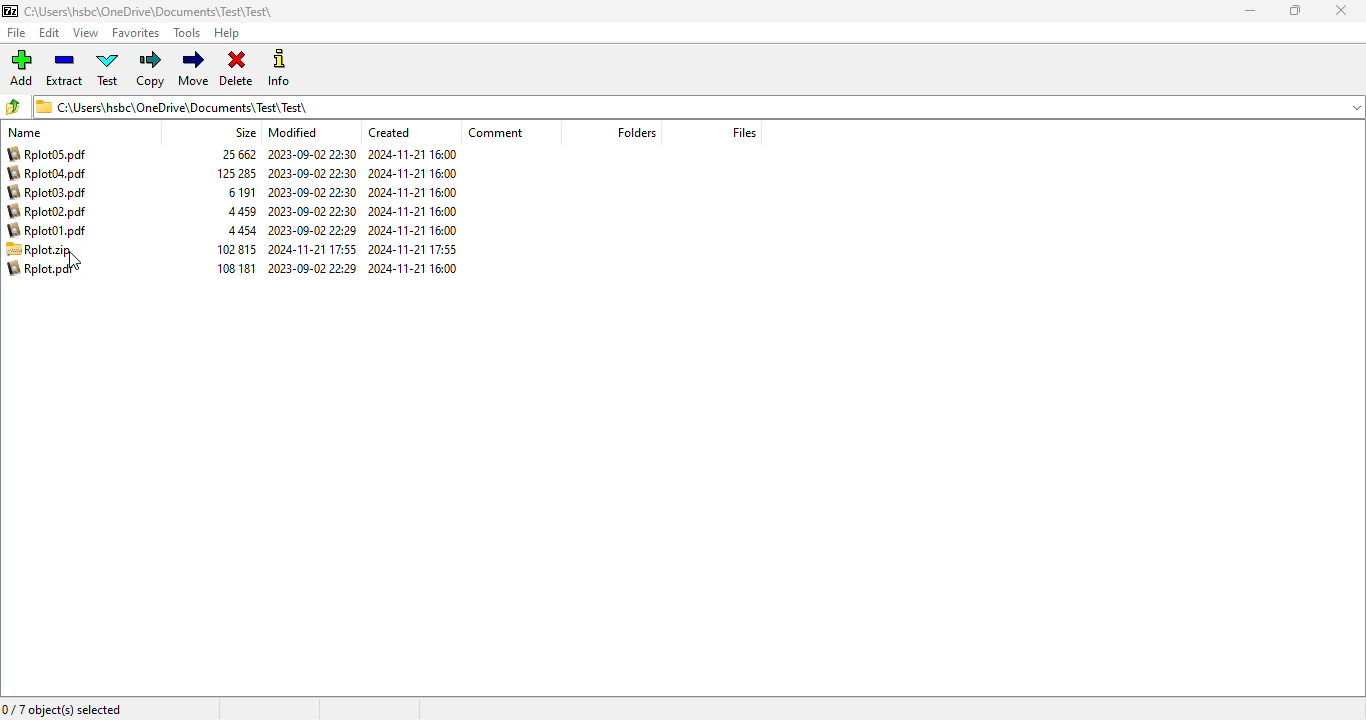 This screenshot has width=1366, height=720. Describe the element at coordinates (637, 132) in the screenshot. I see `folders` at that location.